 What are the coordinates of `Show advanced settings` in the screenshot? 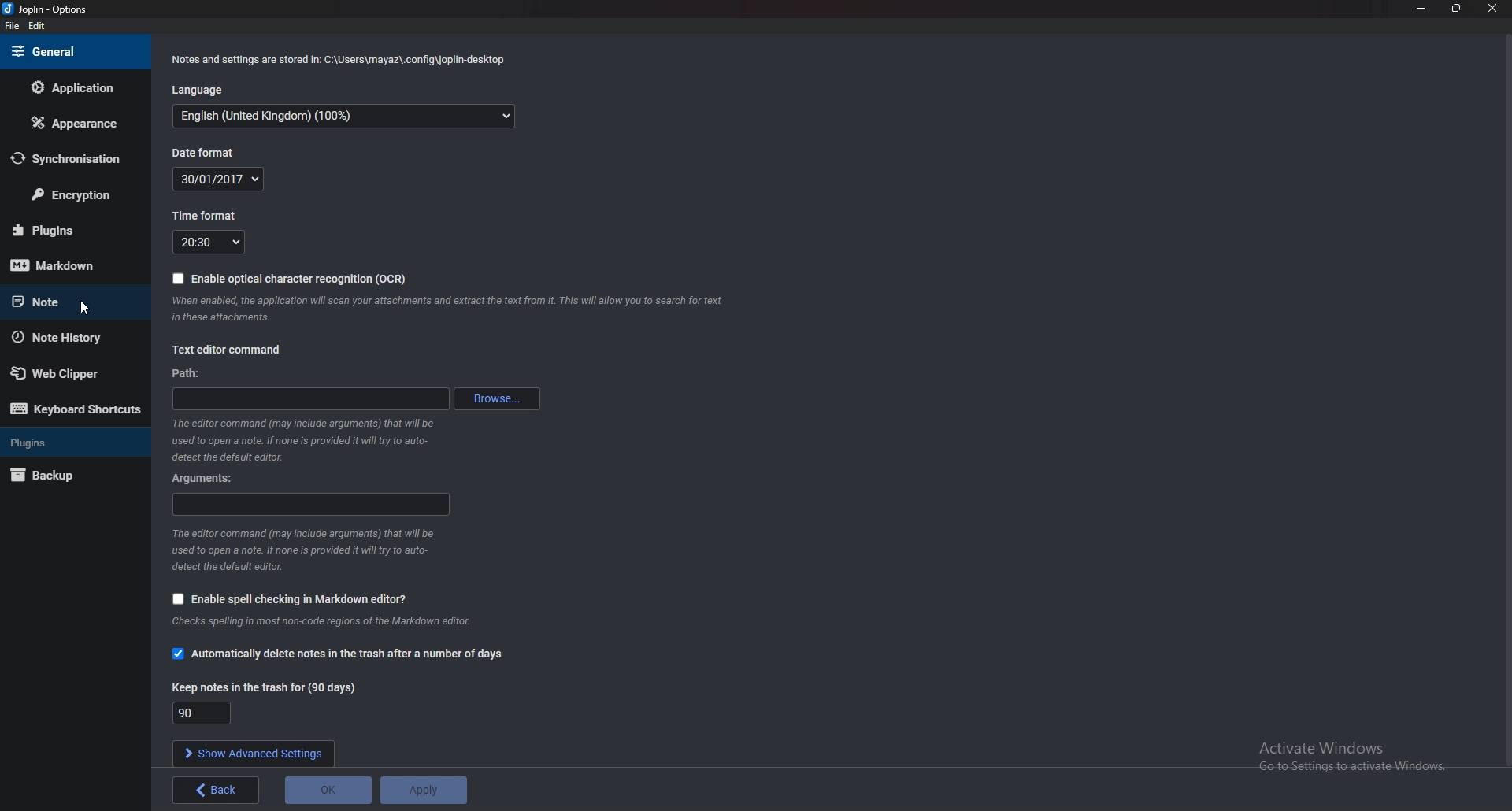 It's located at (252, 751).